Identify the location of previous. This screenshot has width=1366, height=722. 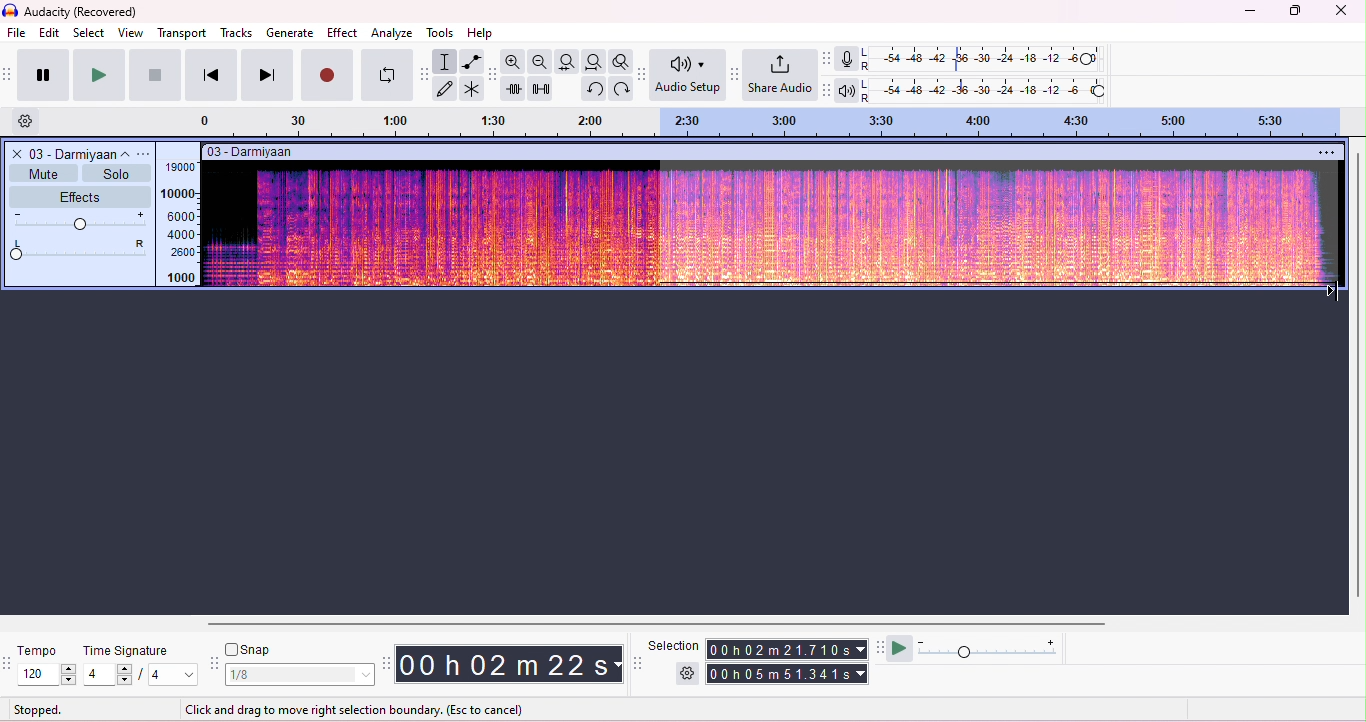
(210, 75).